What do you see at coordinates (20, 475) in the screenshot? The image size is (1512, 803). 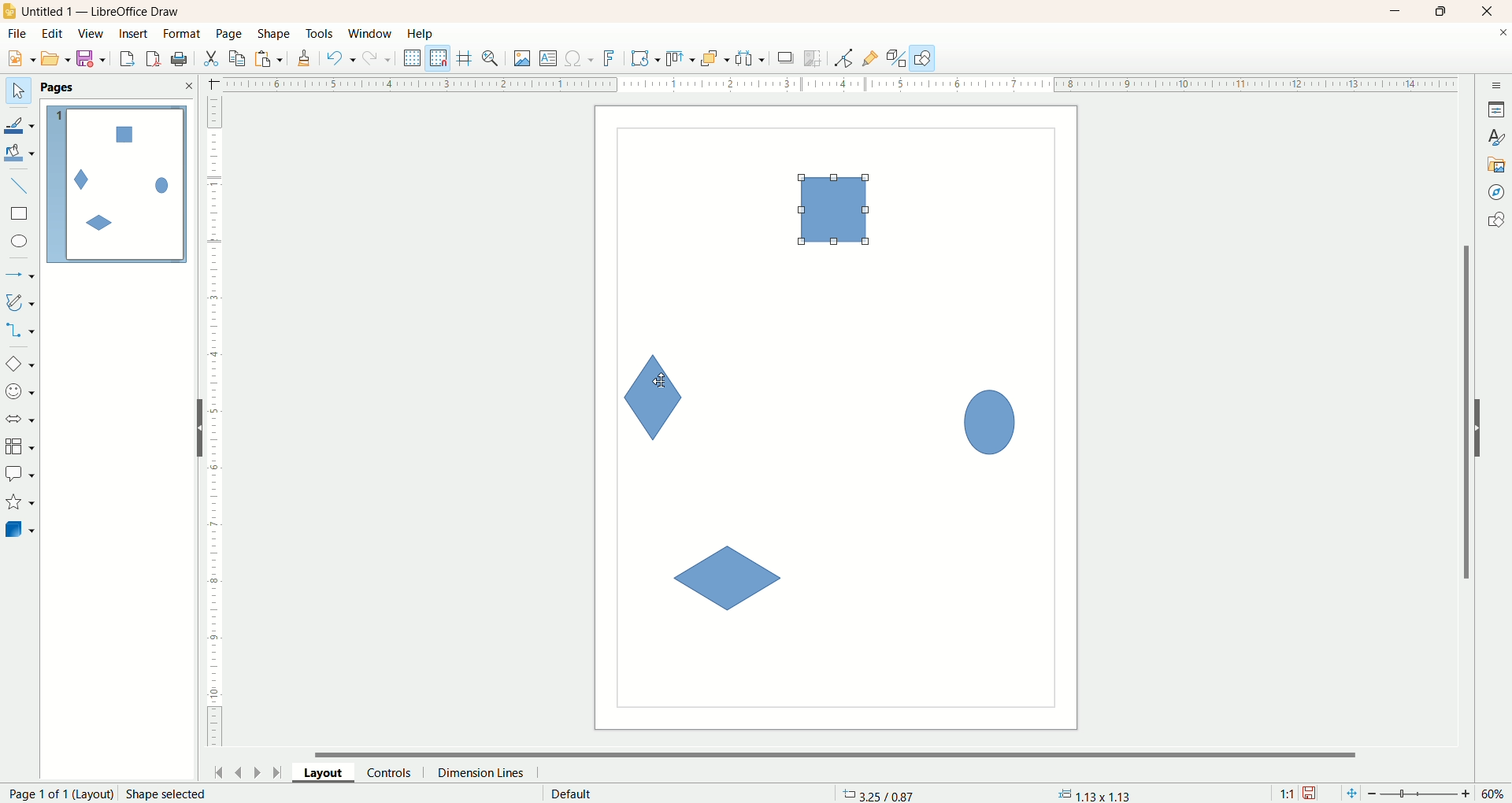 I see `callout shapes` at bounding box center [20, 475].